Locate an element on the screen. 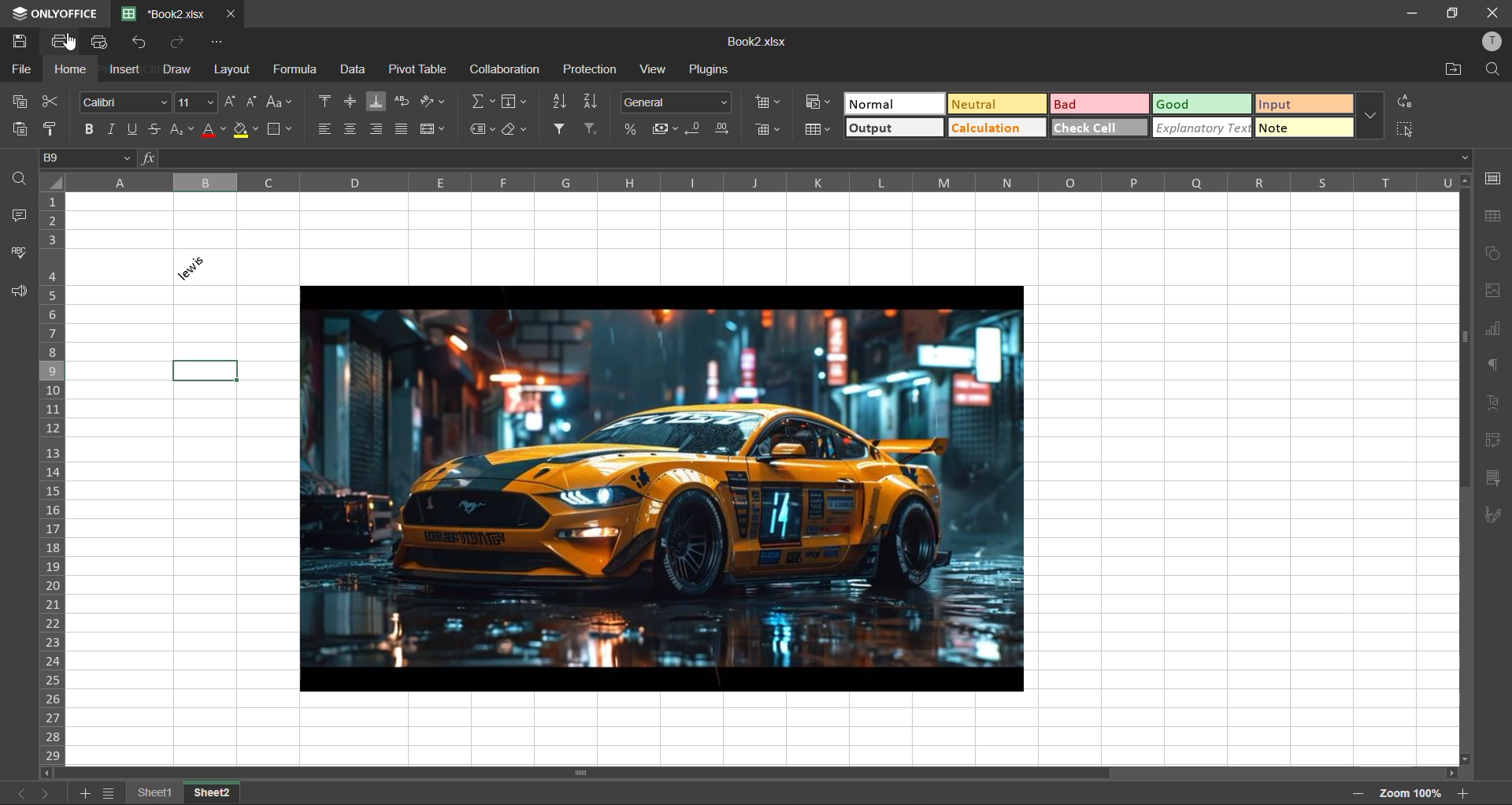  protection is located at coordinates (590, 69).